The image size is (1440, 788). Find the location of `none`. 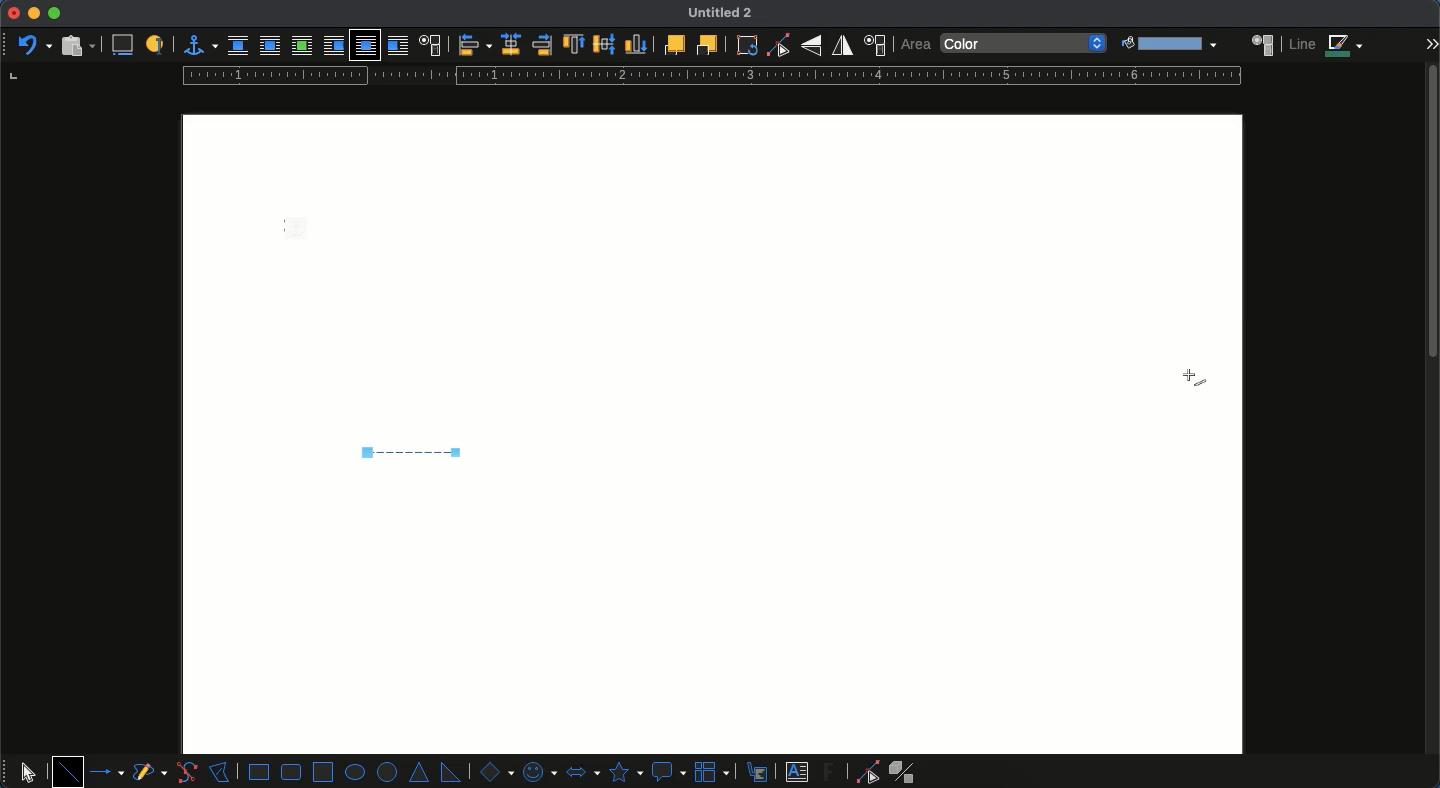

none is located at coordinates (238, 46).